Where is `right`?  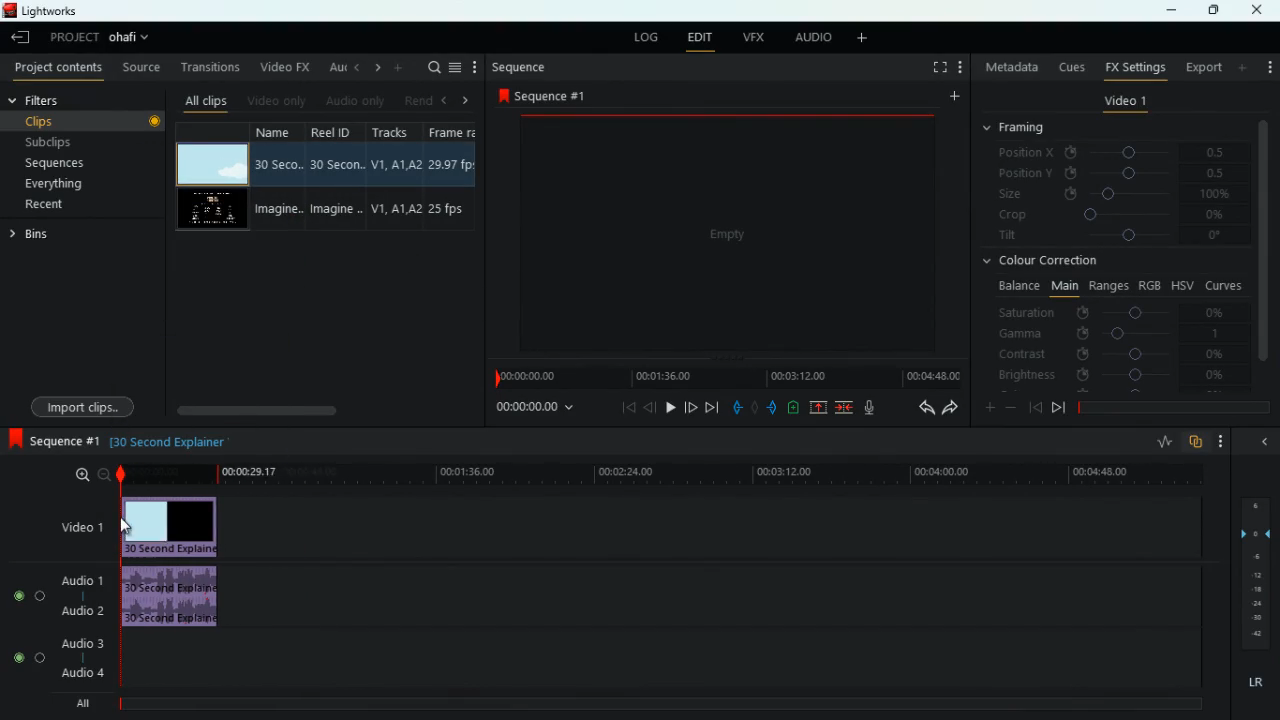
right is located at coordinates (467, 100).